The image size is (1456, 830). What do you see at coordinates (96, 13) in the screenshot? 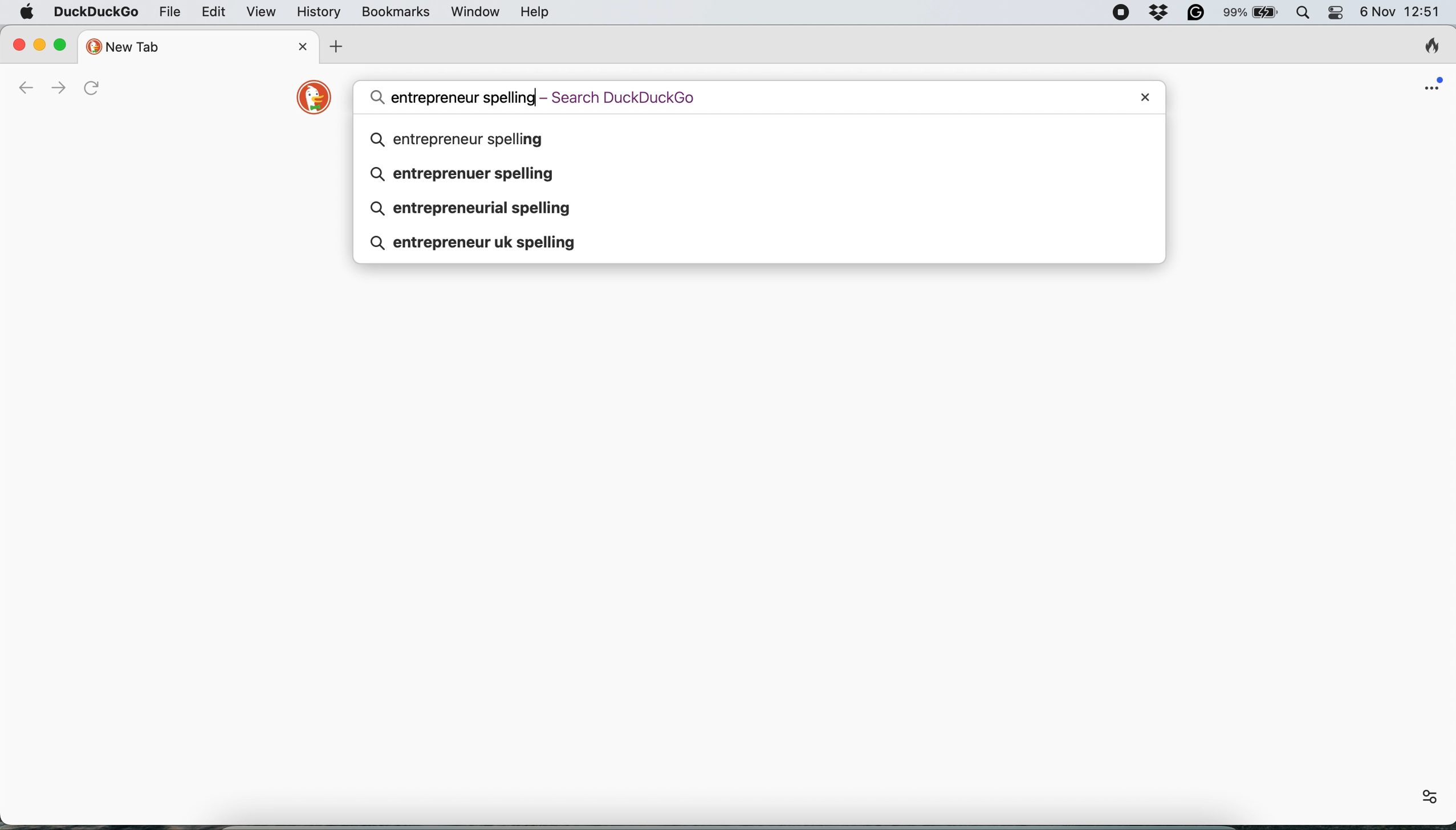
I see `duckduckgo` at bounding box center [96, 13].